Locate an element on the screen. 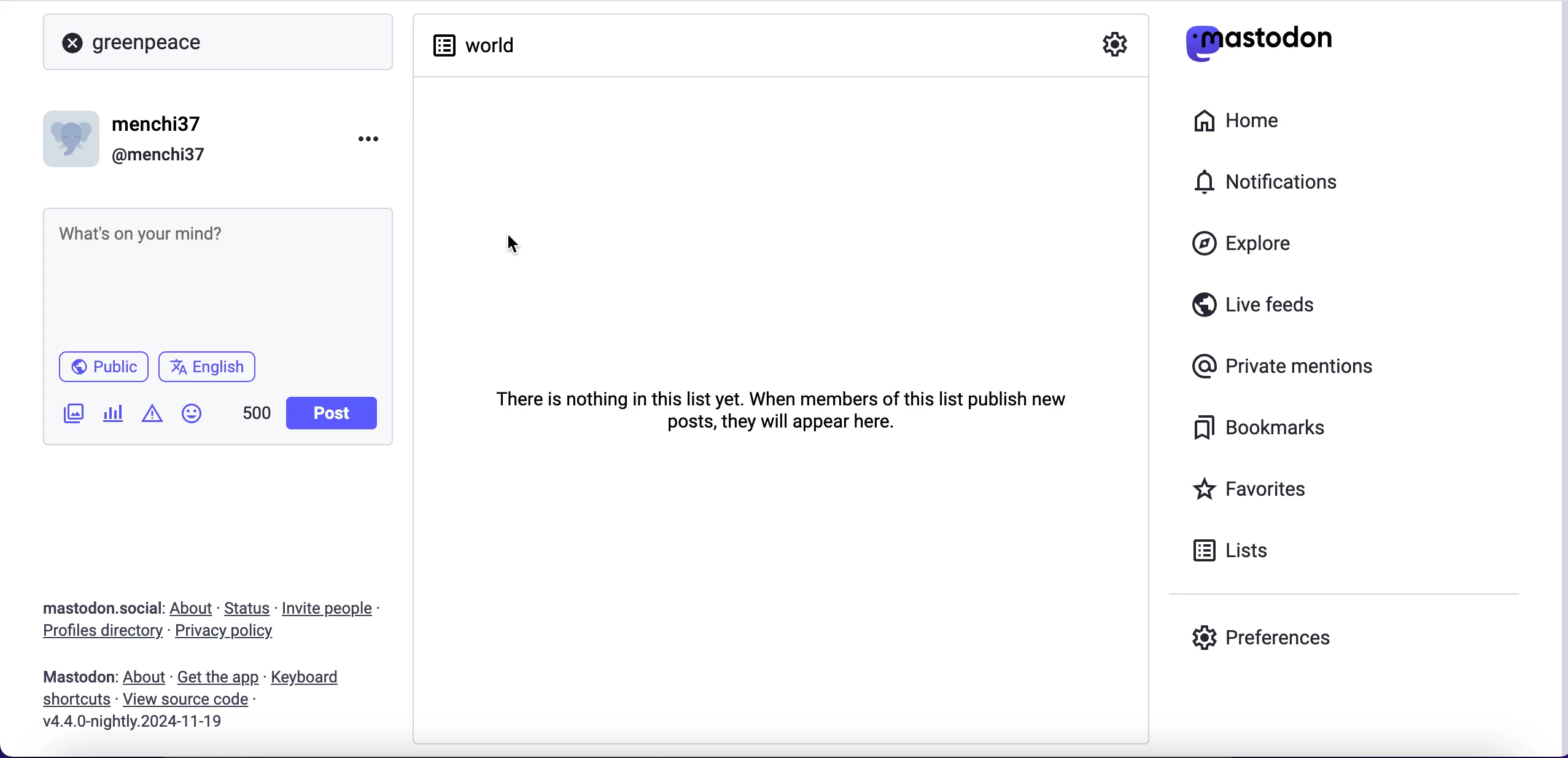  lists is located at coordinates (1231, 550).